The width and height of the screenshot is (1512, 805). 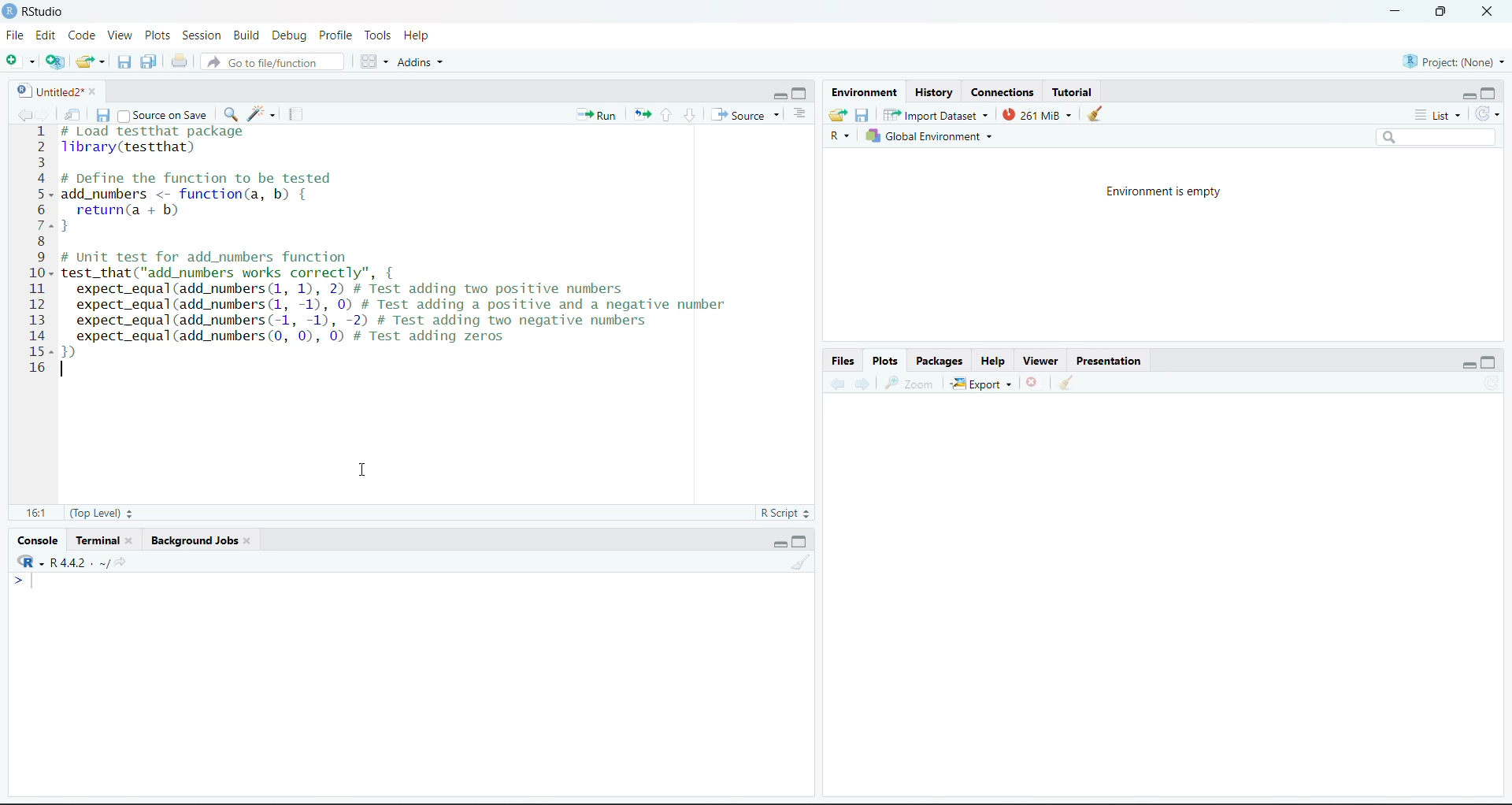 I want to click on R -R 4.4.2 . ~/, so click(x=76, y=562).